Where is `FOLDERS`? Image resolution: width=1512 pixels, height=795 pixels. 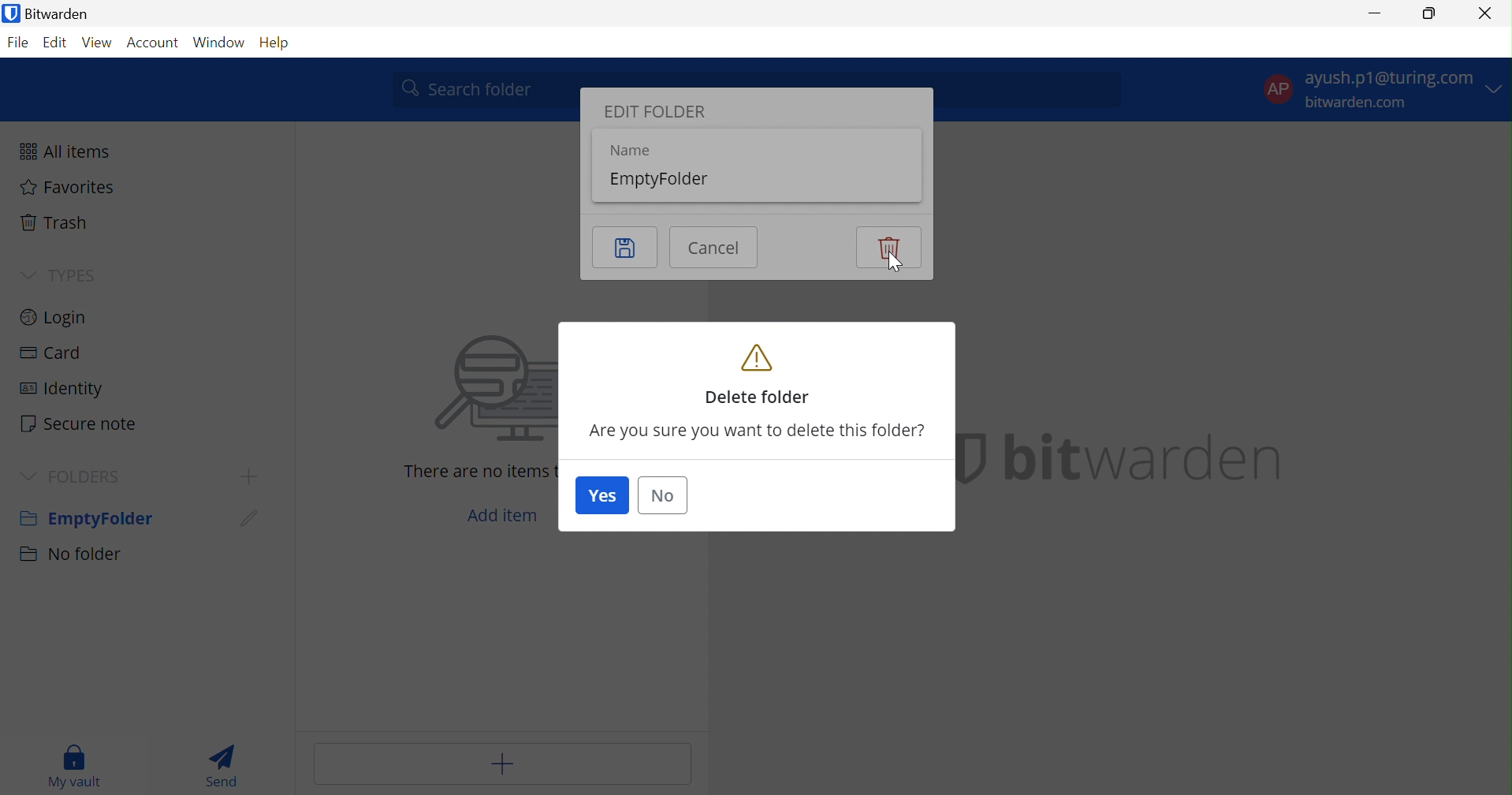 FOLDERS is located at coordinates (89, 477).